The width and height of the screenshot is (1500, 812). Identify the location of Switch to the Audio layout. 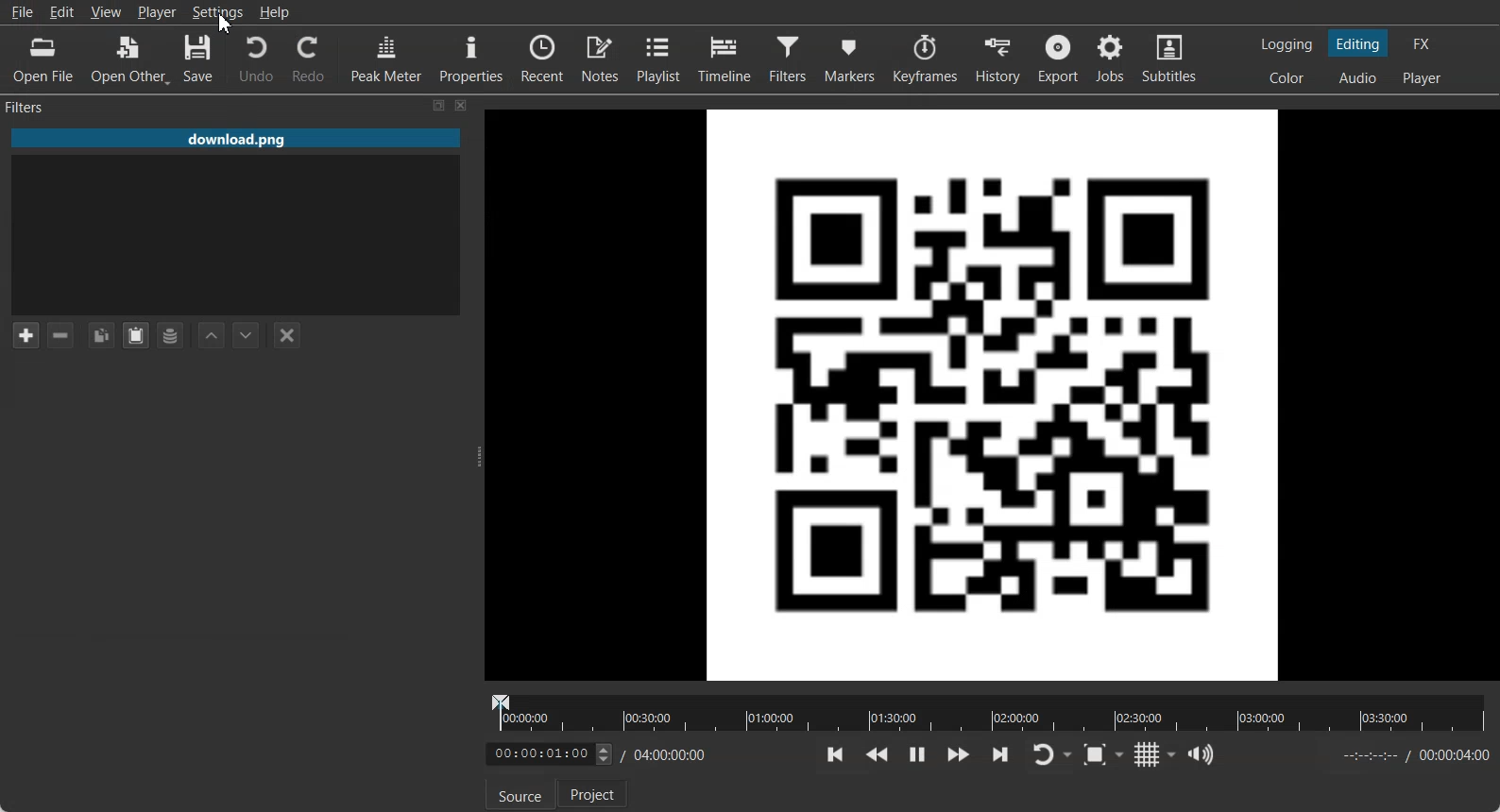
(1357, 77).